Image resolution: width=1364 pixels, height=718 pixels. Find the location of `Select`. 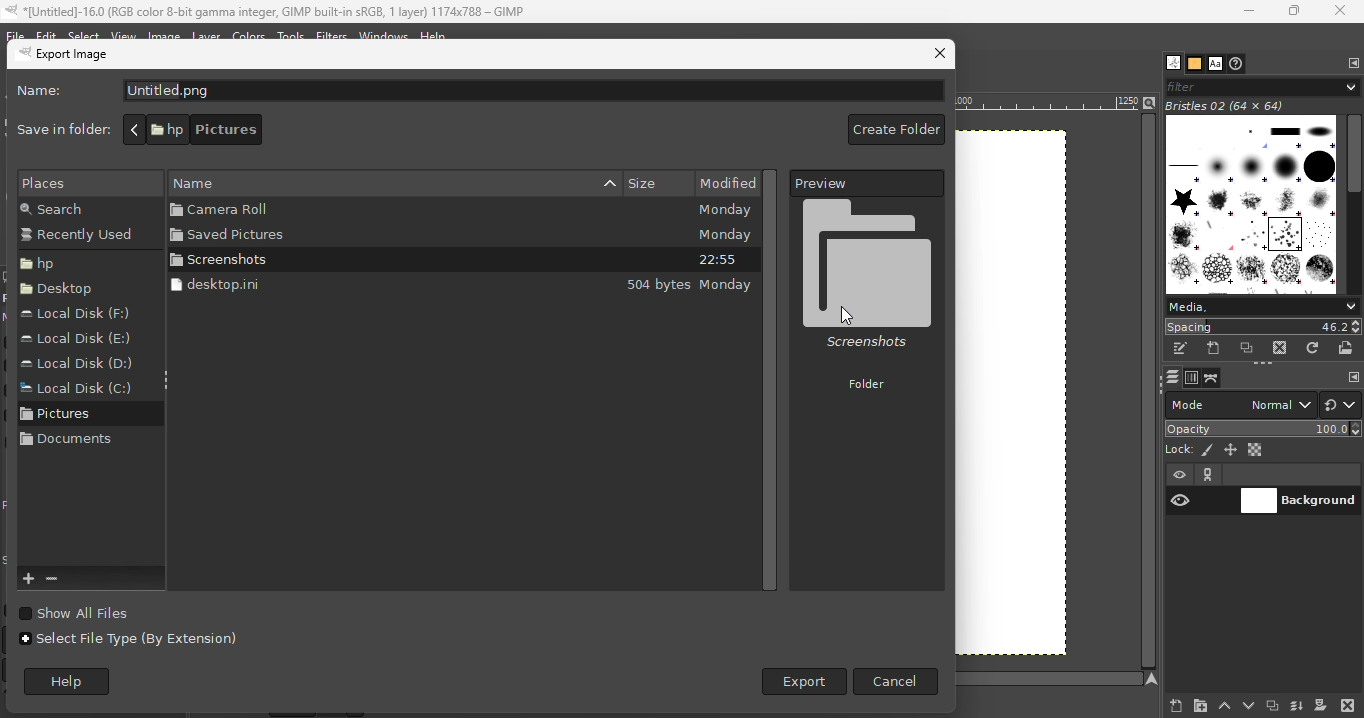

Select is located at coordinates (84, 36).